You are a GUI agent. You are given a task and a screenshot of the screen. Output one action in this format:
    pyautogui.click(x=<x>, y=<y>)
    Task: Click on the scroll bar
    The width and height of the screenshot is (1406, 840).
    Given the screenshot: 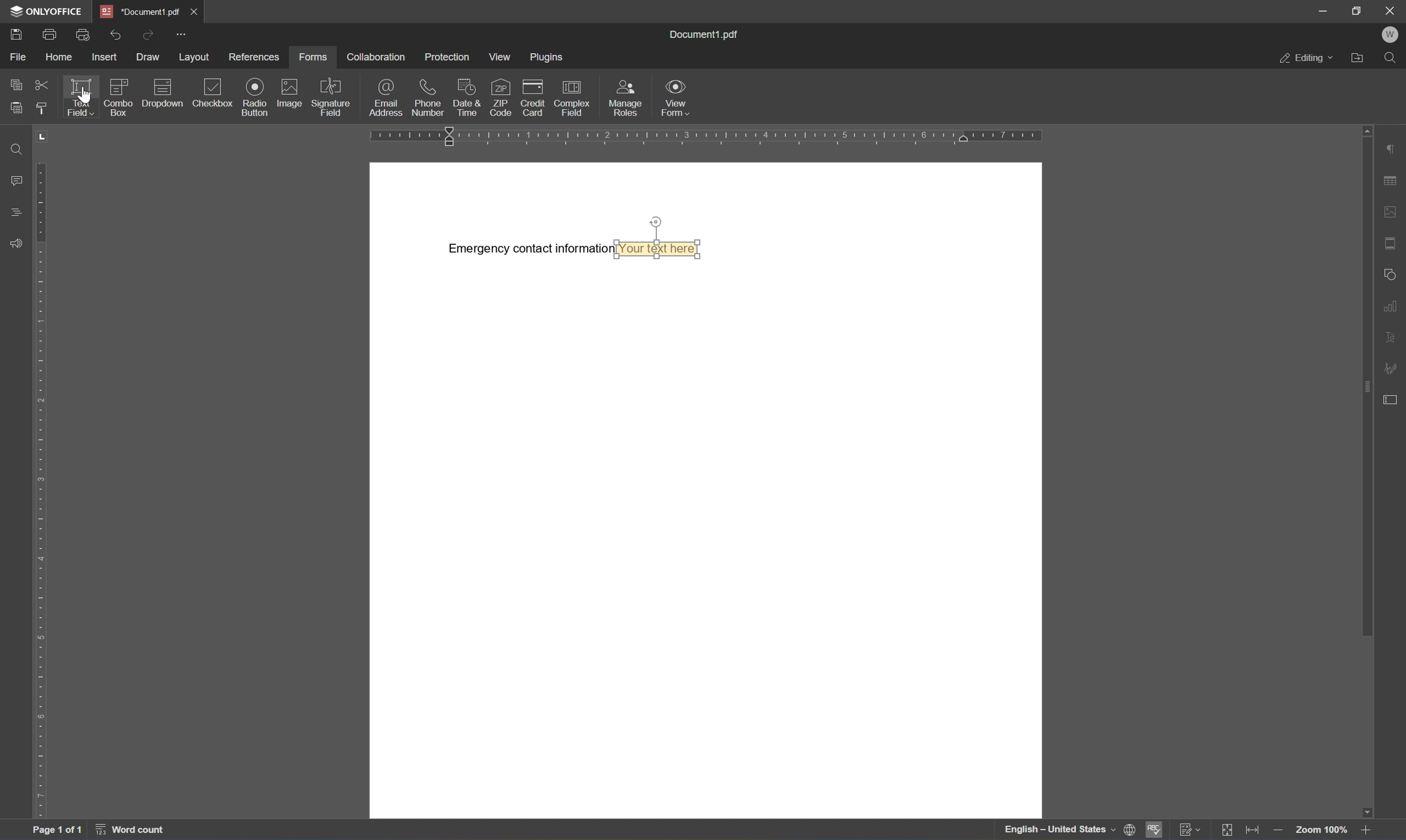 What is the action you would take?
    pyautogui.click(x=1367, y=387)
    